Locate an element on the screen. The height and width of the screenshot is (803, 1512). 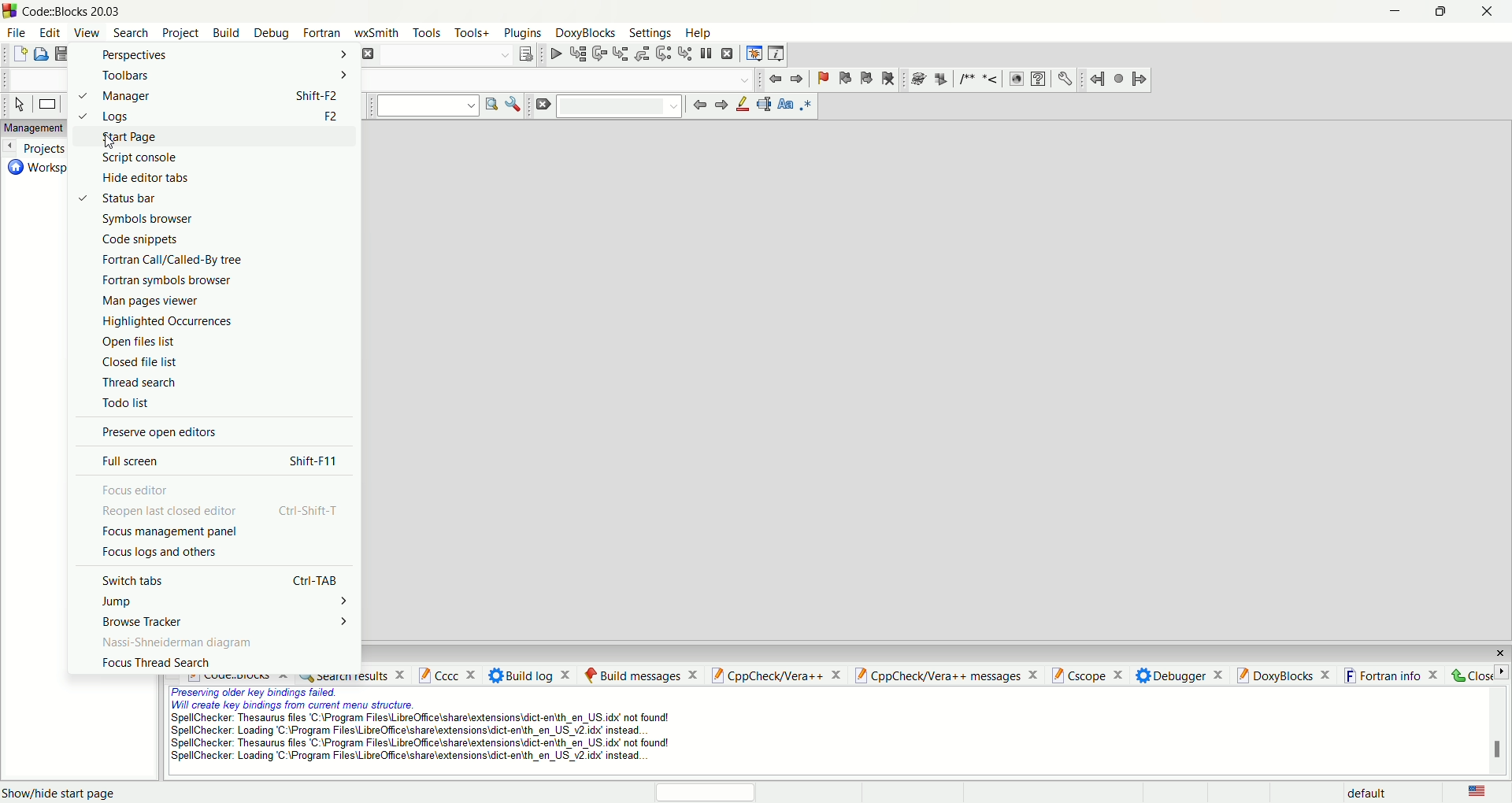
jump forward is located at coordinates (797, 78).